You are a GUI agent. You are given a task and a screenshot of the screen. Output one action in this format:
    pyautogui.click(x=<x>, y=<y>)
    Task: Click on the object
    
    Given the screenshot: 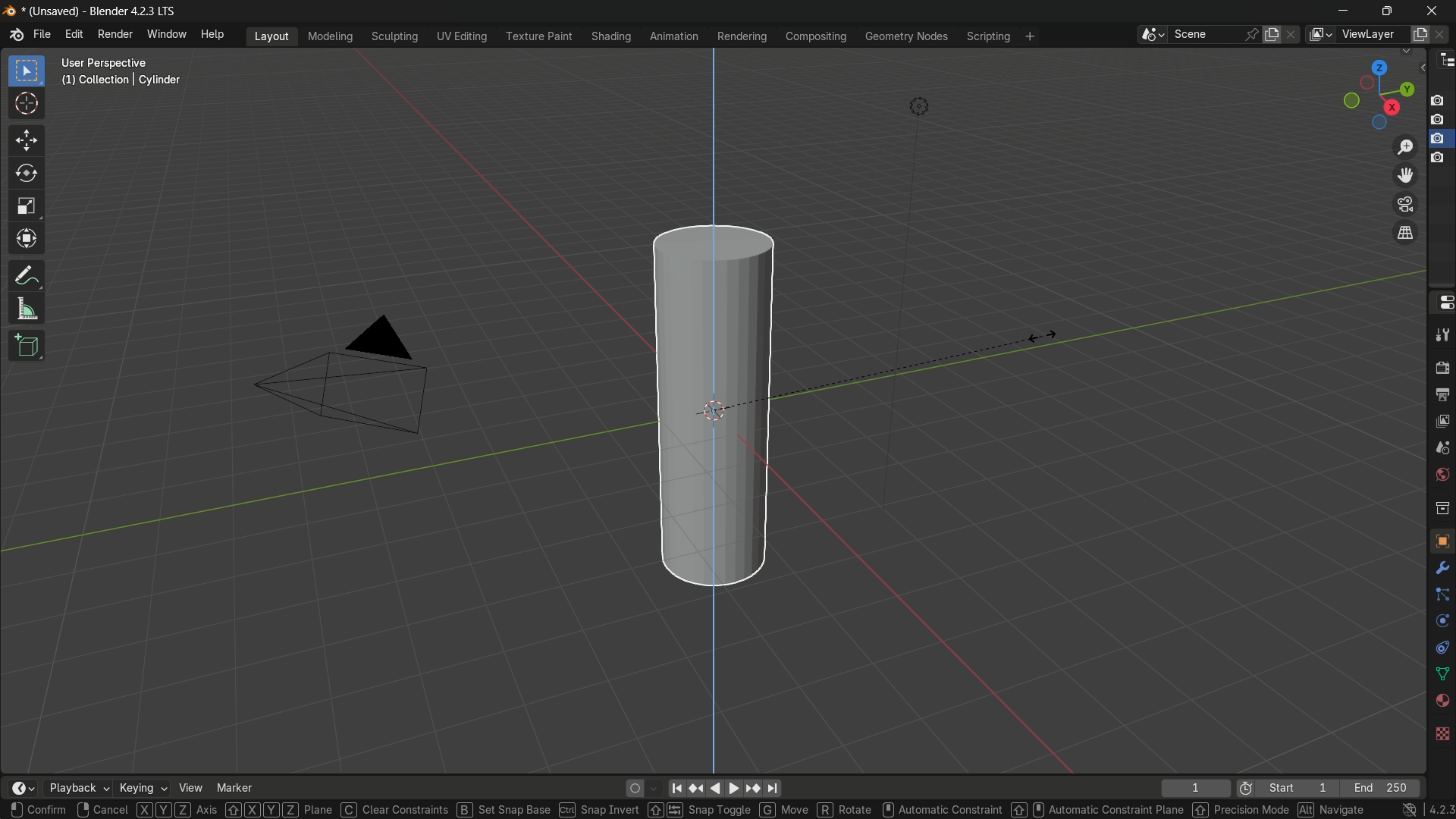 What is the action you would take?
    pyautogui.click(x=1442, y=540)
    